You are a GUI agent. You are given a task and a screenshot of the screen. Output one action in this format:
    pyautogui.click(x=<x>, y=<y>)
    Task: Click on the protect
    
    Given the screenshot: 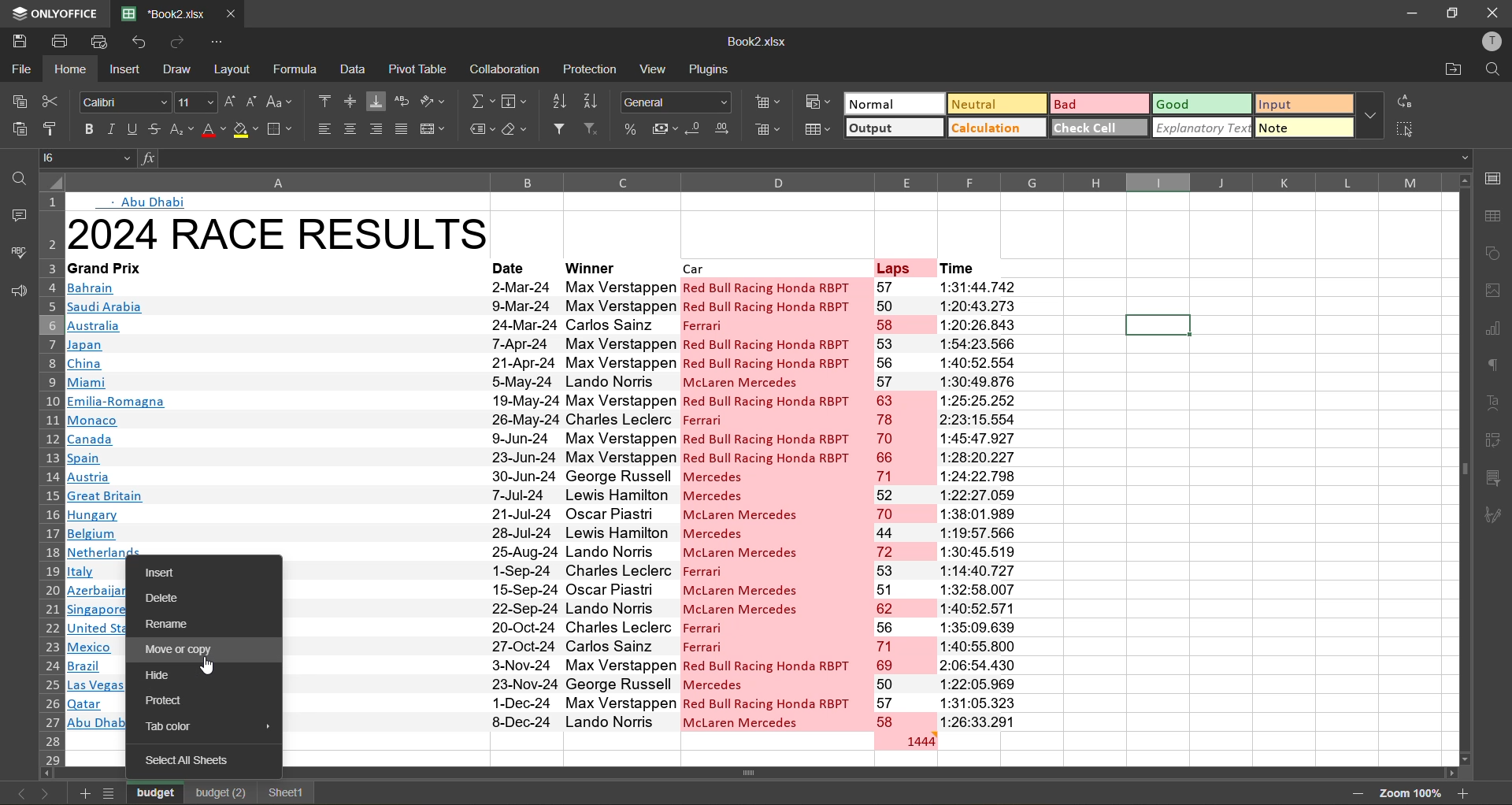 What is the action you would take?
    pyautogui.click(x=170, y=701)
    